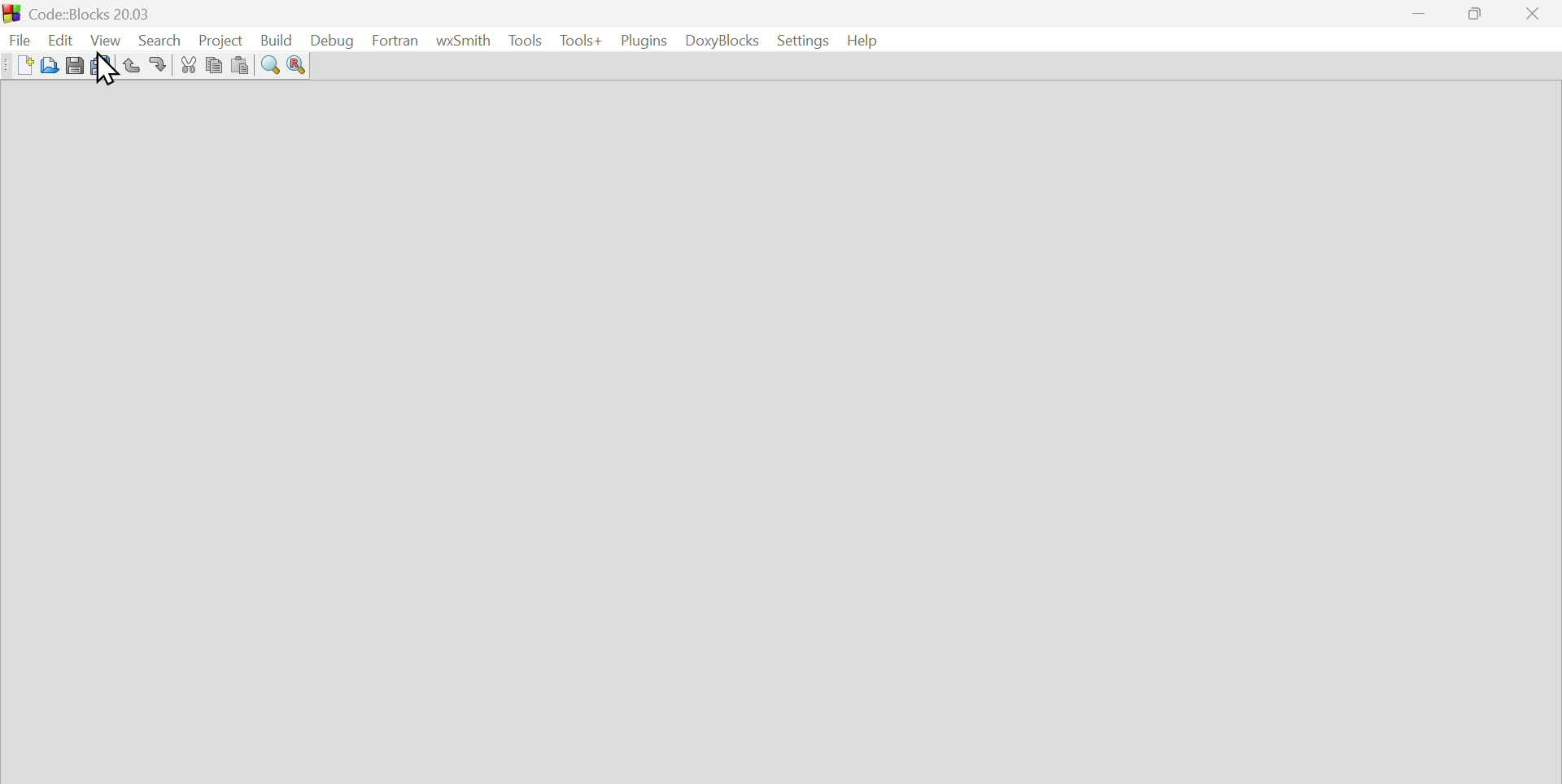  What do you see at coordinates (1420, 15) in the screenshot?
I see `minimize` at bounding box center [1420, 15].